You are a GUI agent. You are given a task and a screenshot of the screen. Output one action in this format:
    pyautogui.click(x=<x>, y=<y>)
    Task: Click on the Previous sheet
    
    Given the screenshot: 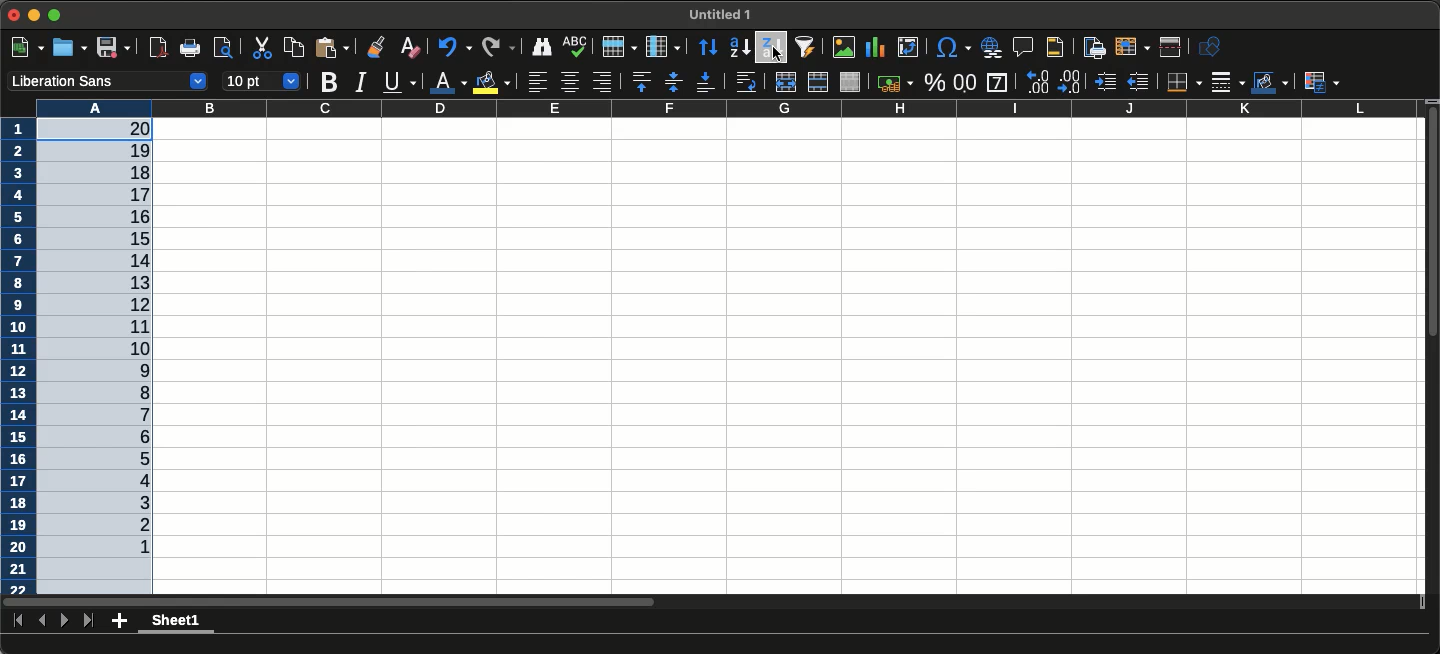 What is the action you would take?
    pyautogui.click(x=44, y=620)
    